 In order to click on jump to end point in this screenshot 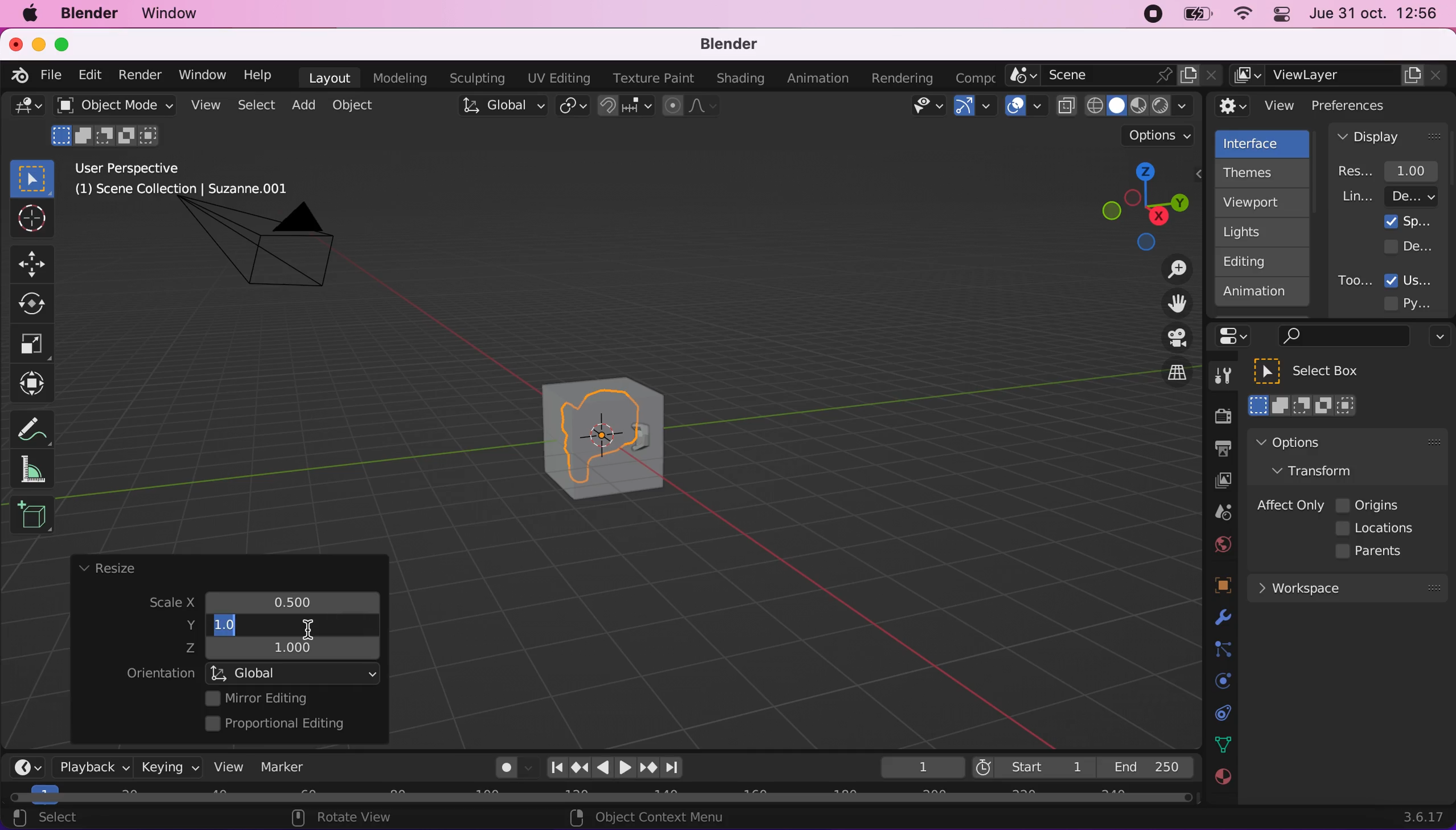, I will do `click(553, 768)`.